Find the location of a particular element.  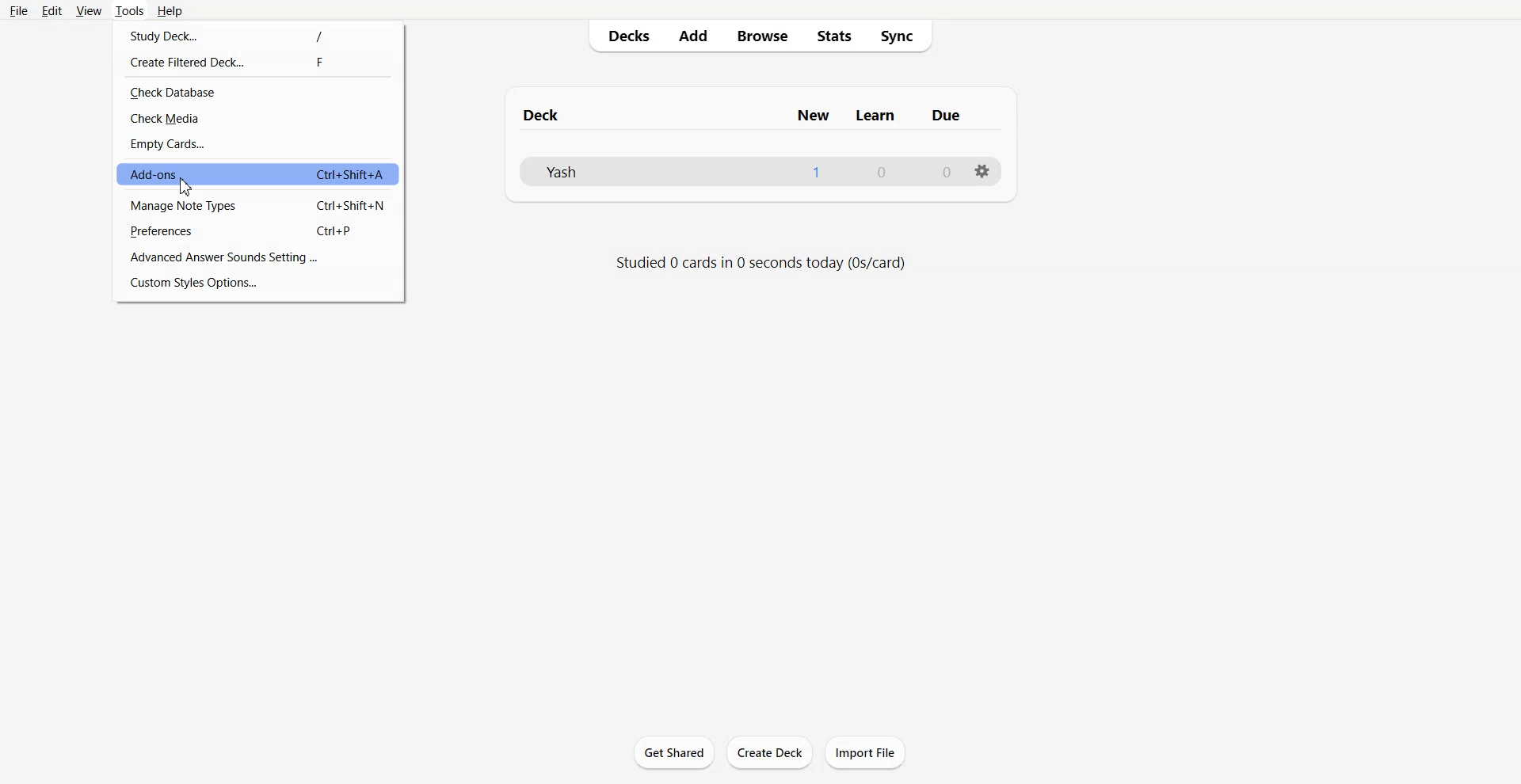

Help is located at coordinates (170, 11).